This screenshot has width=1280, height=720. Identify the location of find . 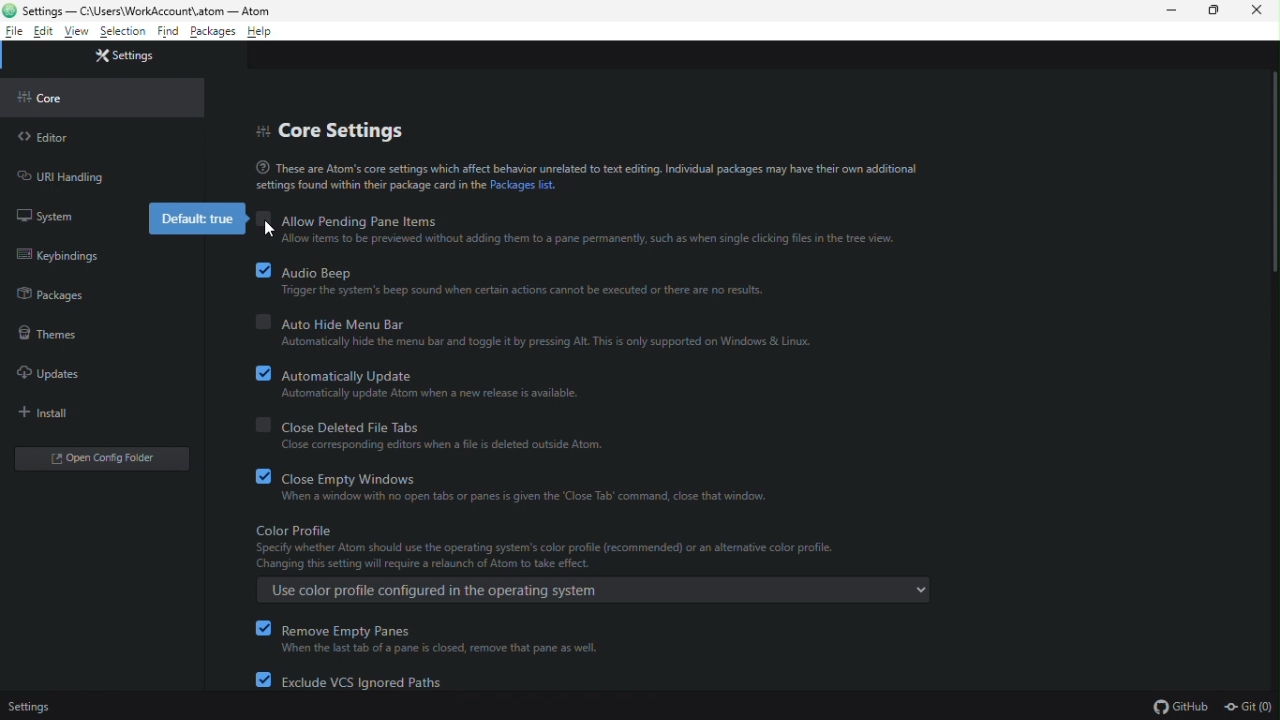
(169, 34).